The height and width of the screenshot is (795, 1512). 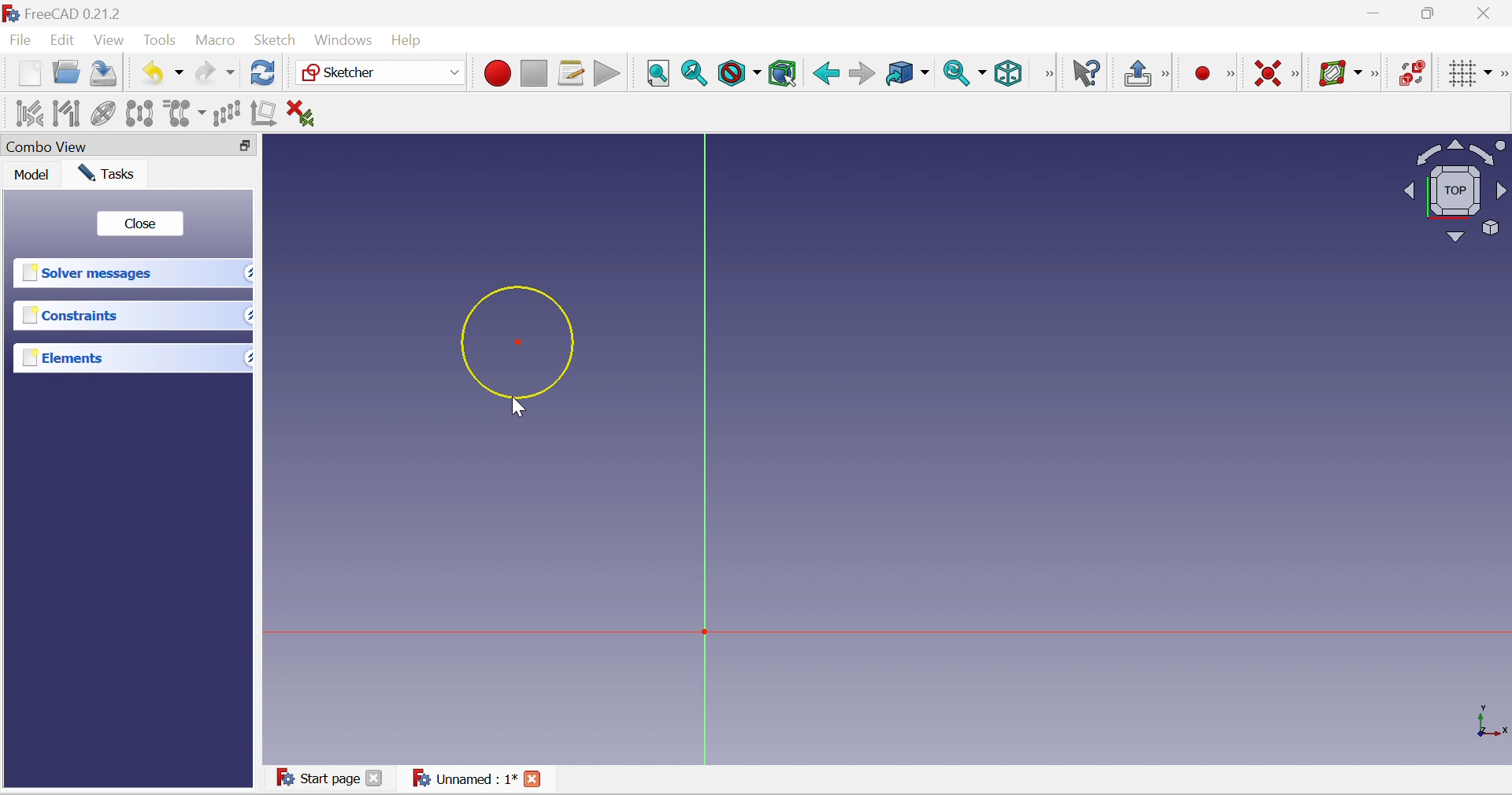 I want to click on Constrain coincident, so click(x=1266, y=73).